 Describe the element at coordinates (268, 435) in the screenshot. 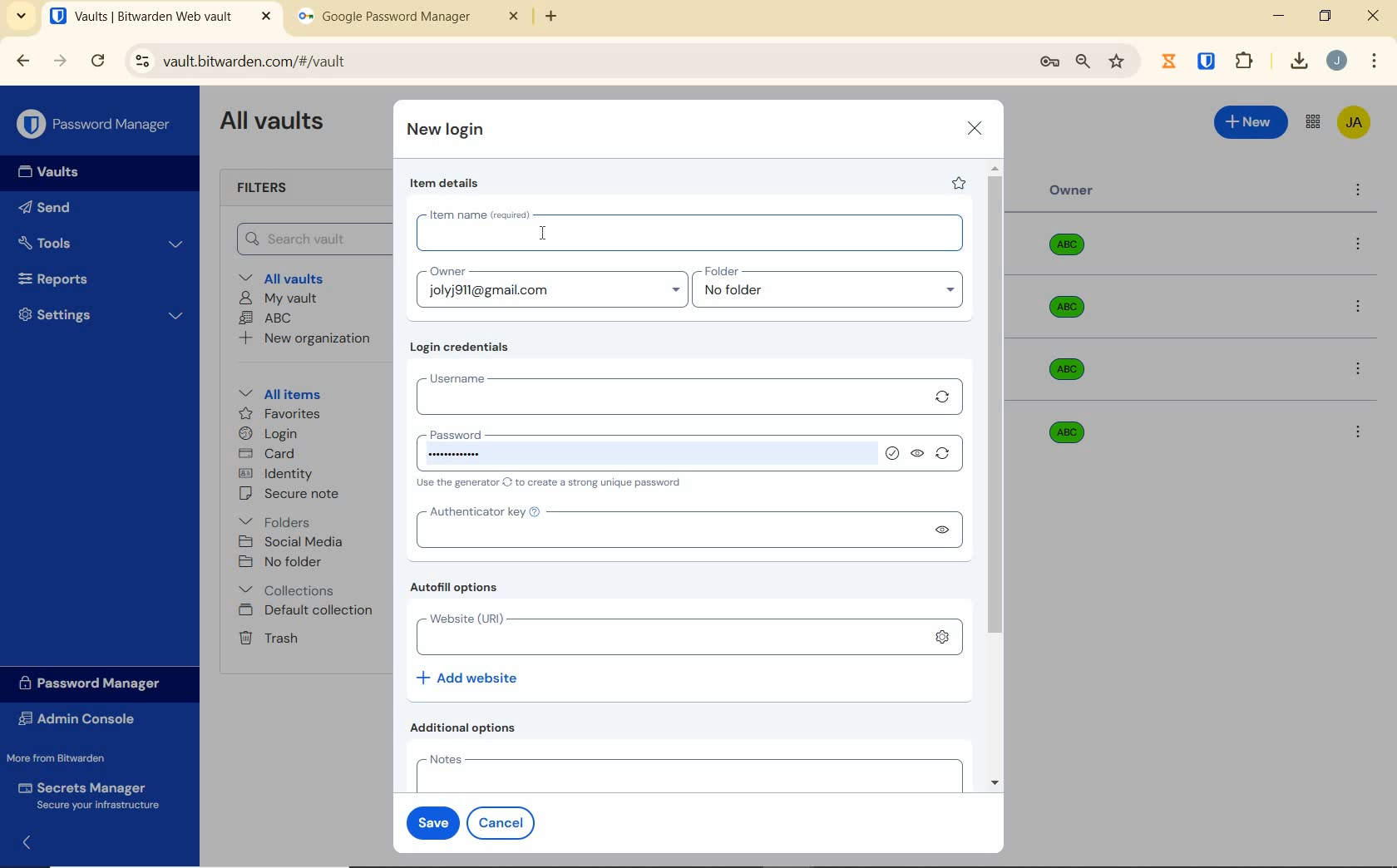

I see `login` at that location.